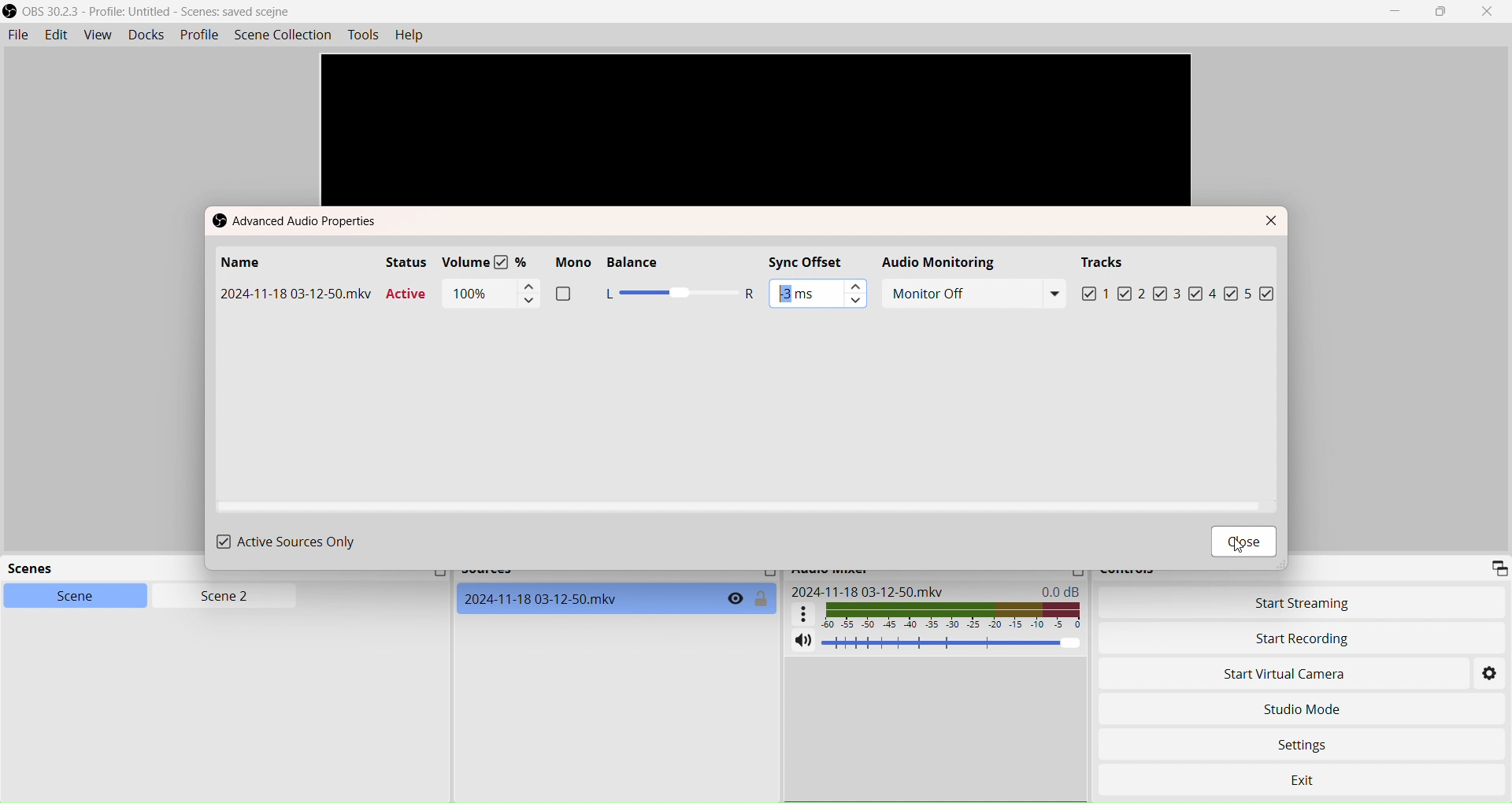 The width and height of the screenshot is (1512, 803). What do you see at coordinates (217, 597) in the screenshot?
I see `Scene 2` at bounding box center [217, 597].